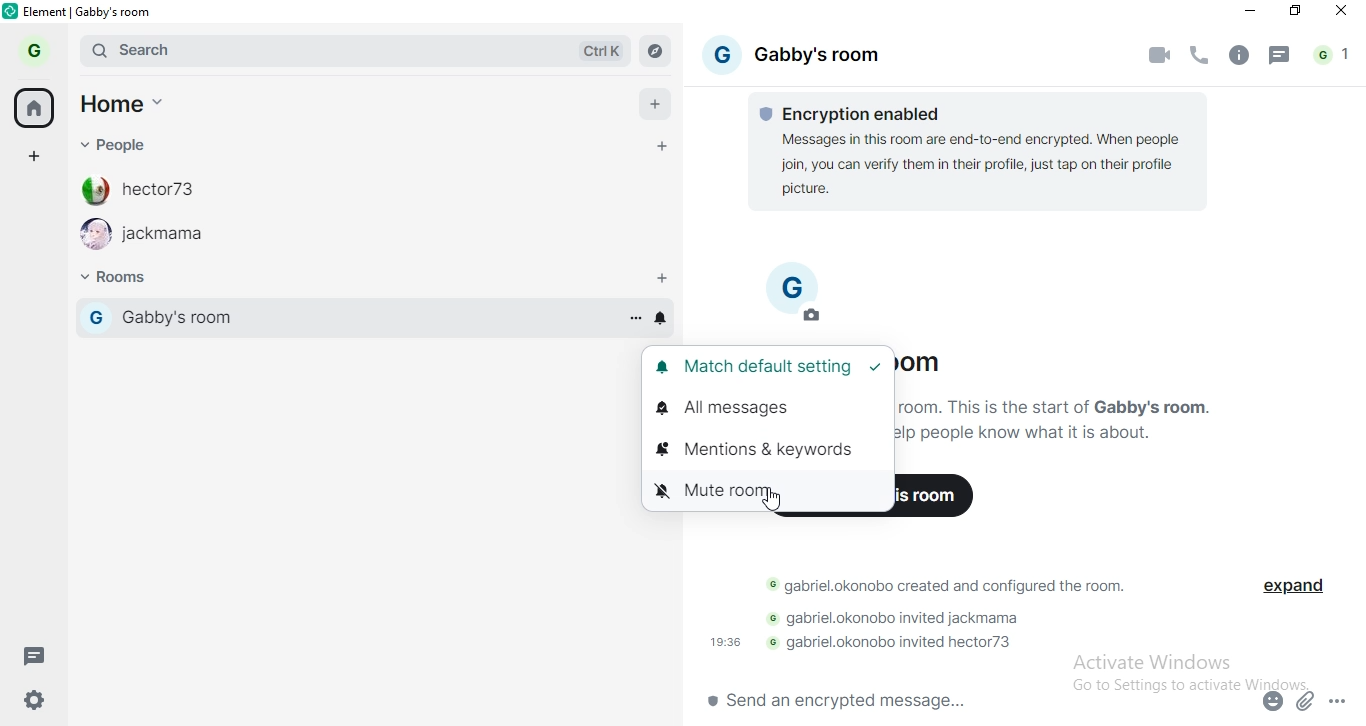  Describe the element at coordinates (1151, 58) in the screenshot. I see `video call` at that location.